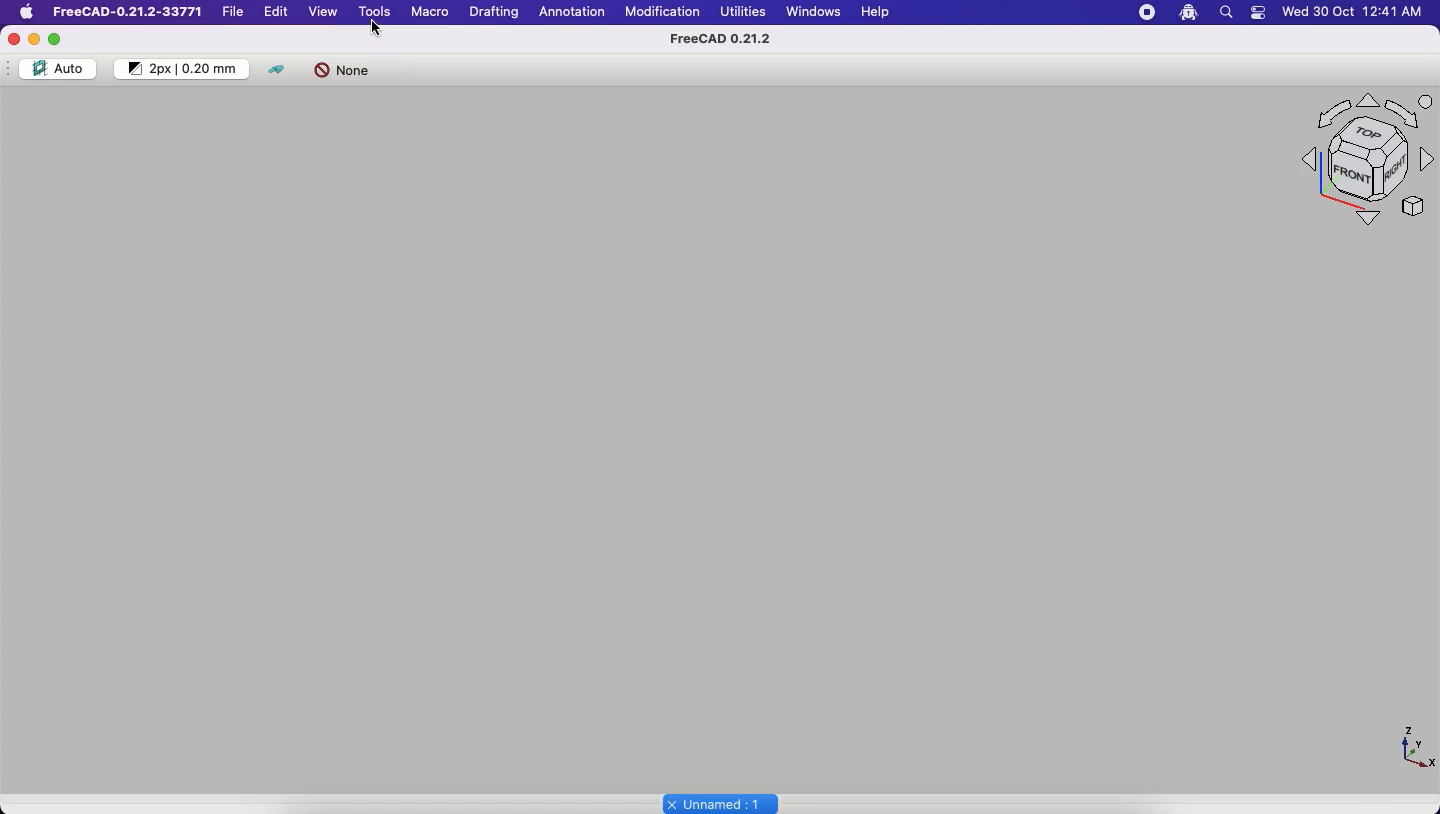 Image resolution: width=1440 pixels, height=814 pixels. Describe the element at coordinates (723, 803) in the screenshot. I see `Project name` at that location.